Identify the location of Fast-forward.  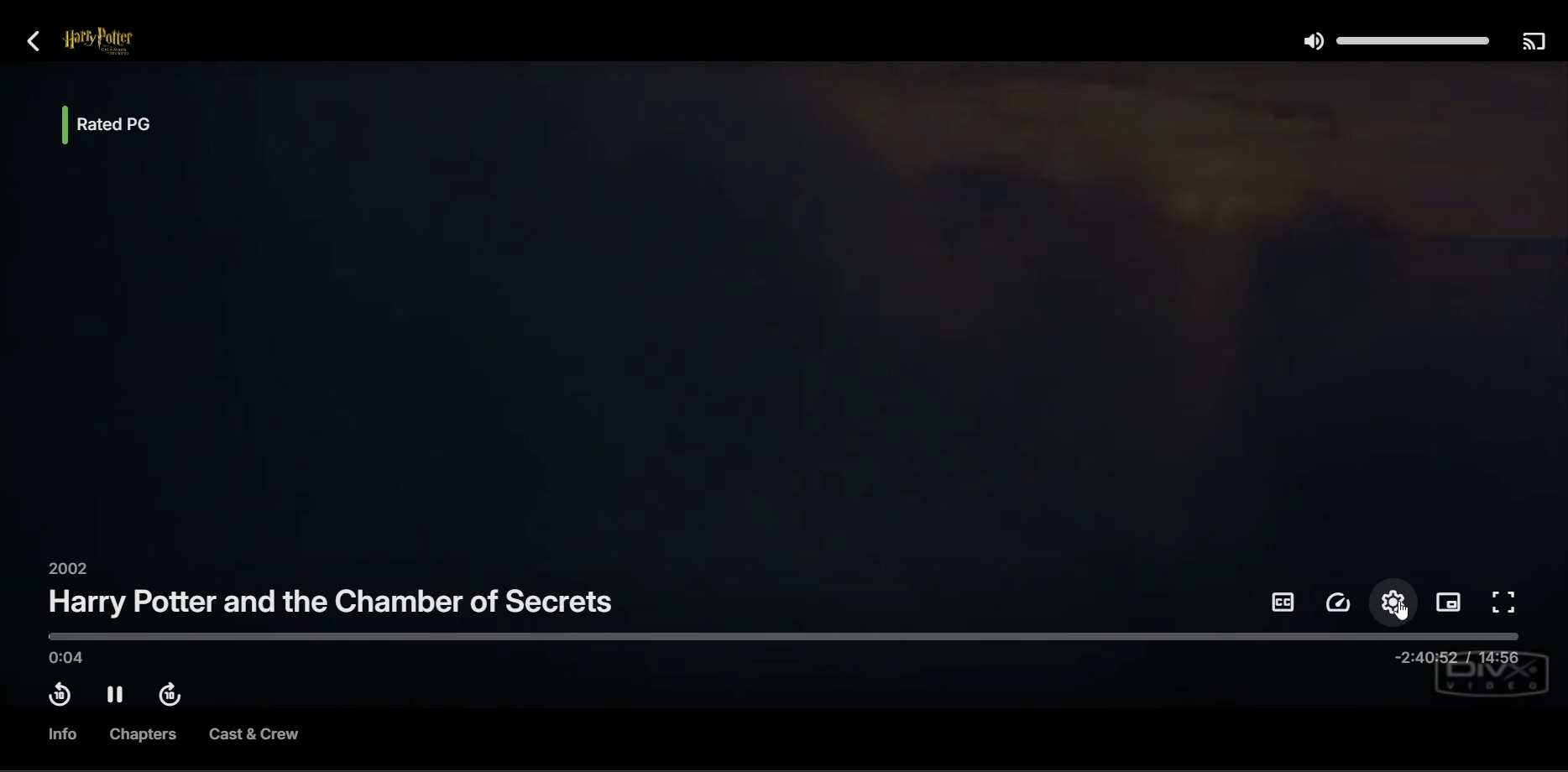
(175, 696).